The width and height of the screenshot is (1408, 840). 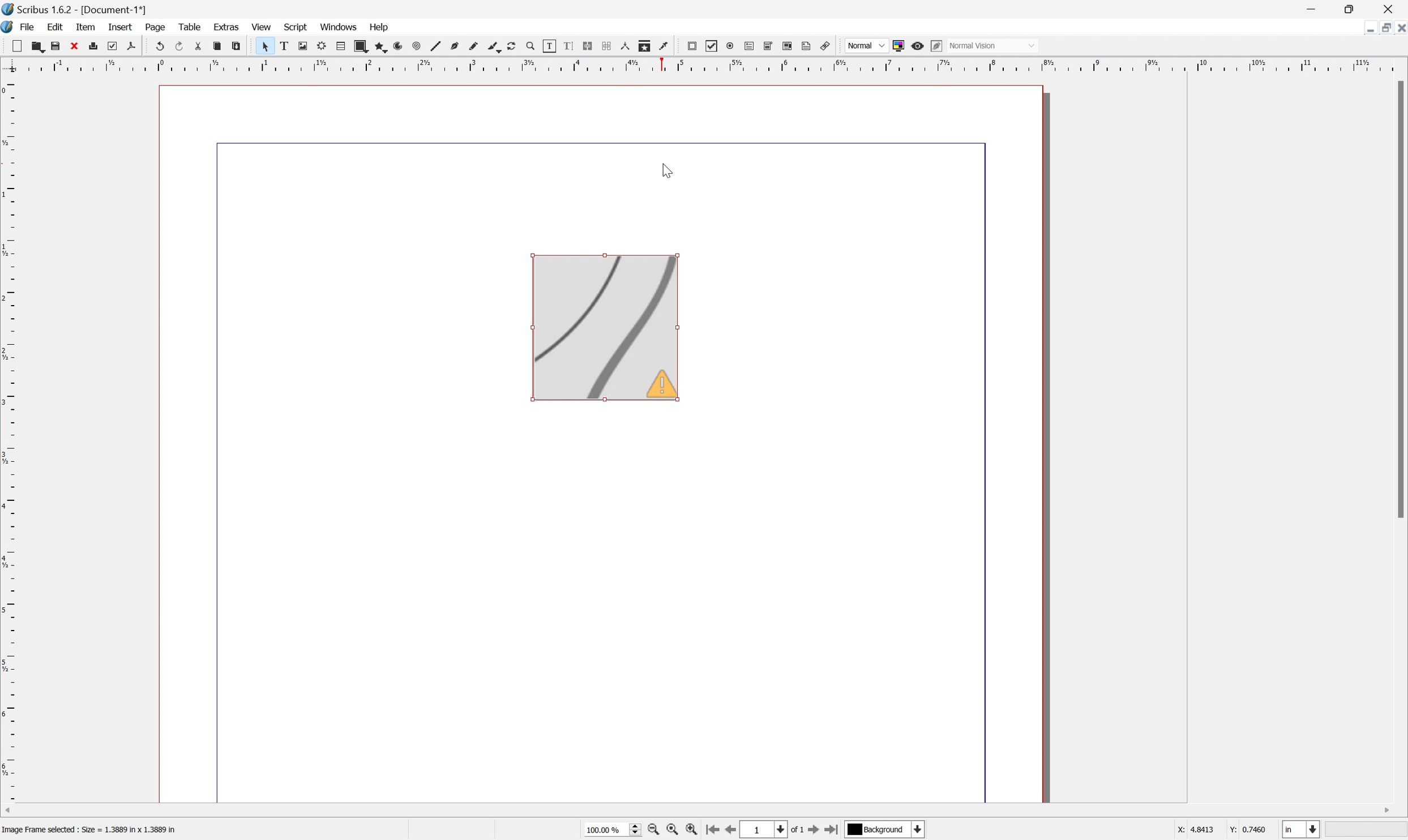 What do you see at coordinates (831, 831) in the screenshot?
I see `Go to the last page` at bounding box center [831, 831].